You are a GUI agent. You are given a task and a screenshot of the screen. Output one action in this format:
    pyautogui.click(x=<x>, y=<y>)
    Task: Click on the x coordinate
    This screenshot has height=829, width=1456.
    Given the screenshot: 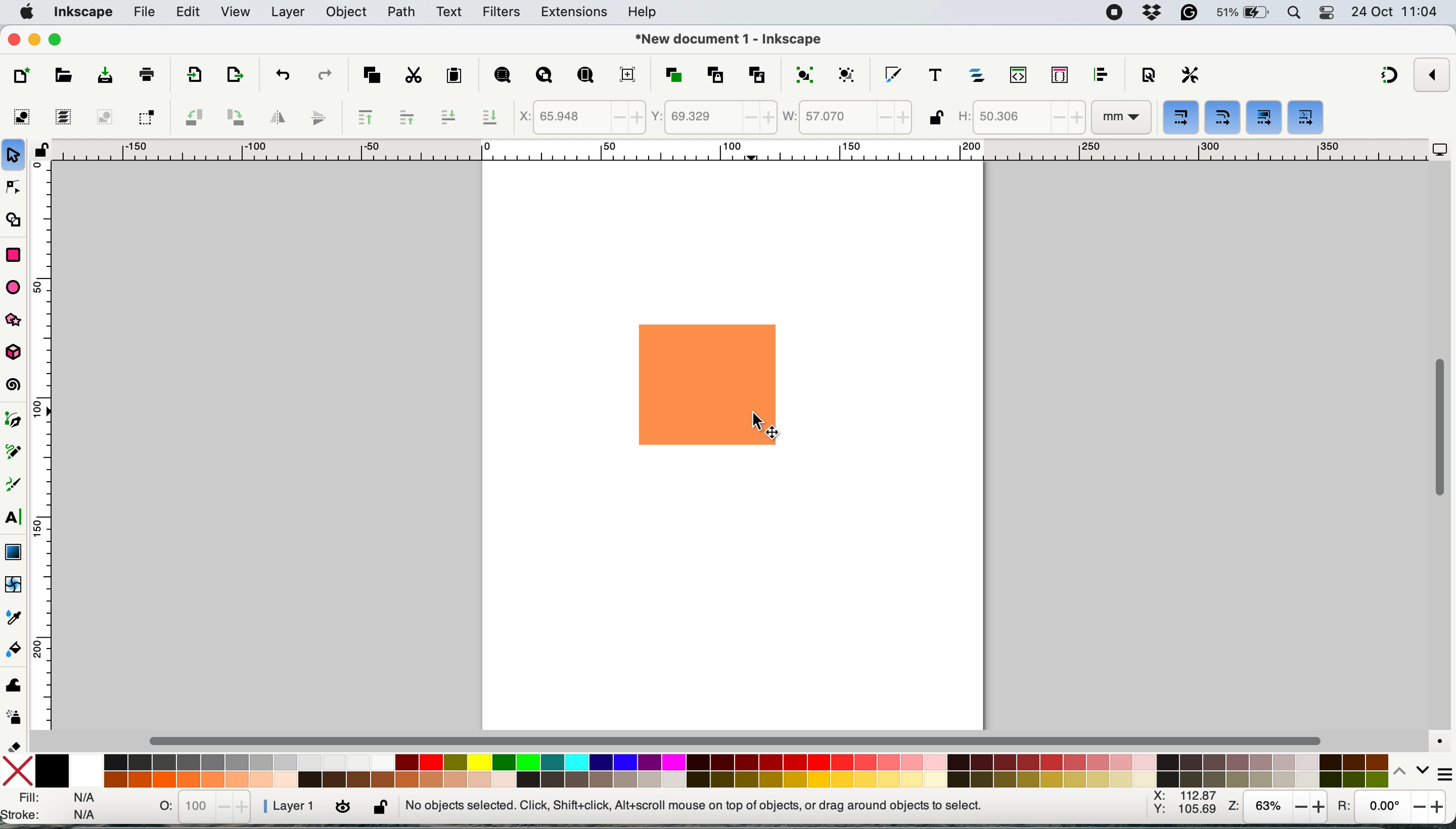 What is the action you would take?
    pyautogui.click(x=579, y=118)
    